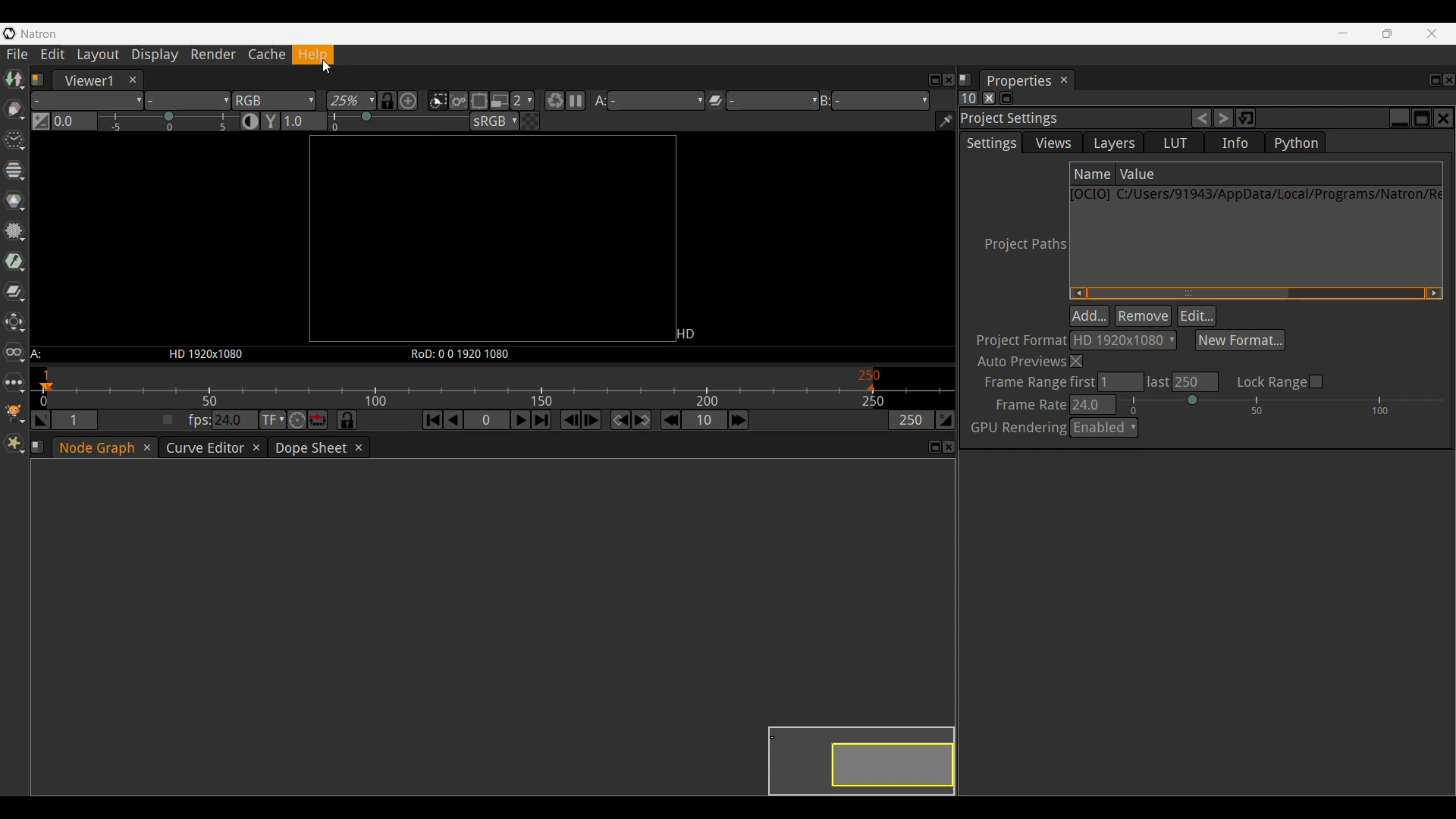 The width and height of the screenshot is (1456, 819). I want to click on Close pane 1, so click(948, 80).